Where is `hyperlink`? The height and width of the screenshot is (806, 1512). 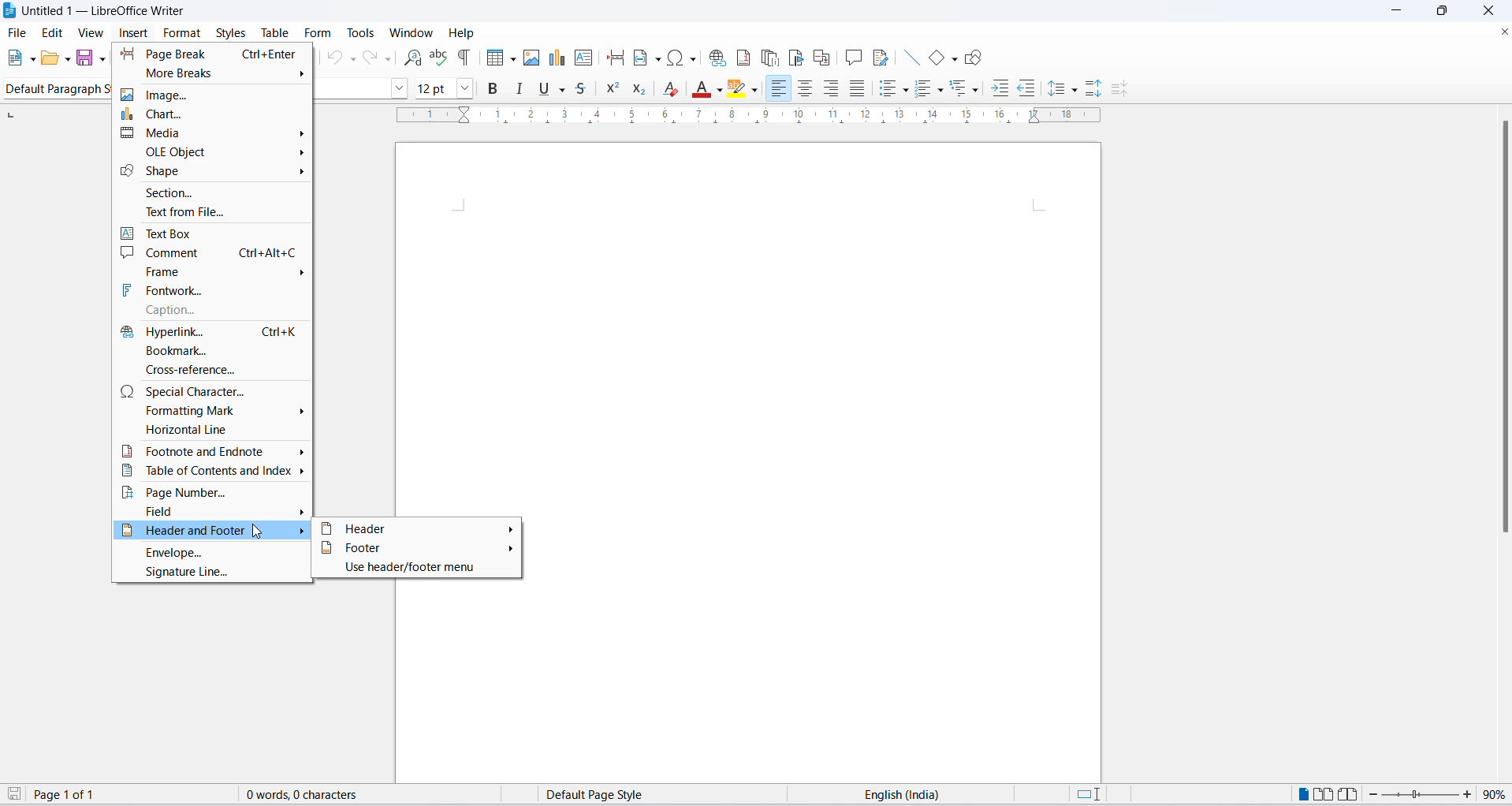 hyperlink is located at coordinates (207, 330).